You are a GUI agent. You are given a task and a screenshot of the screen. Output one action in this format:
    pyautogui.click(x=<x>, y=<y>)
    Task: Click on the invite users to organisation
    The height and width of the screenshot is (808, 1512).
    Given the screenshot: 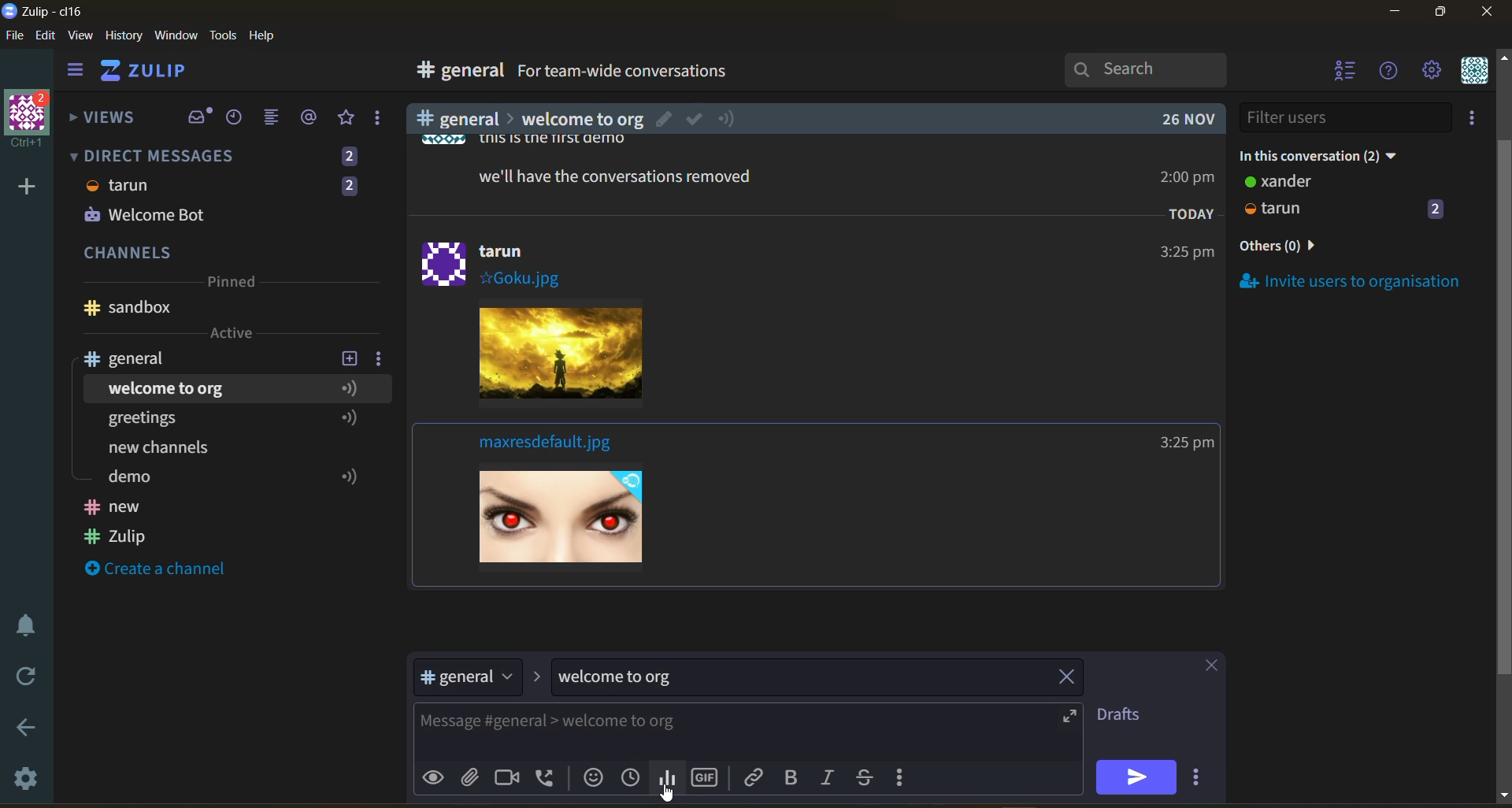 What is the action you would take?
    pyautogui.click(x=1475, y=120)
    